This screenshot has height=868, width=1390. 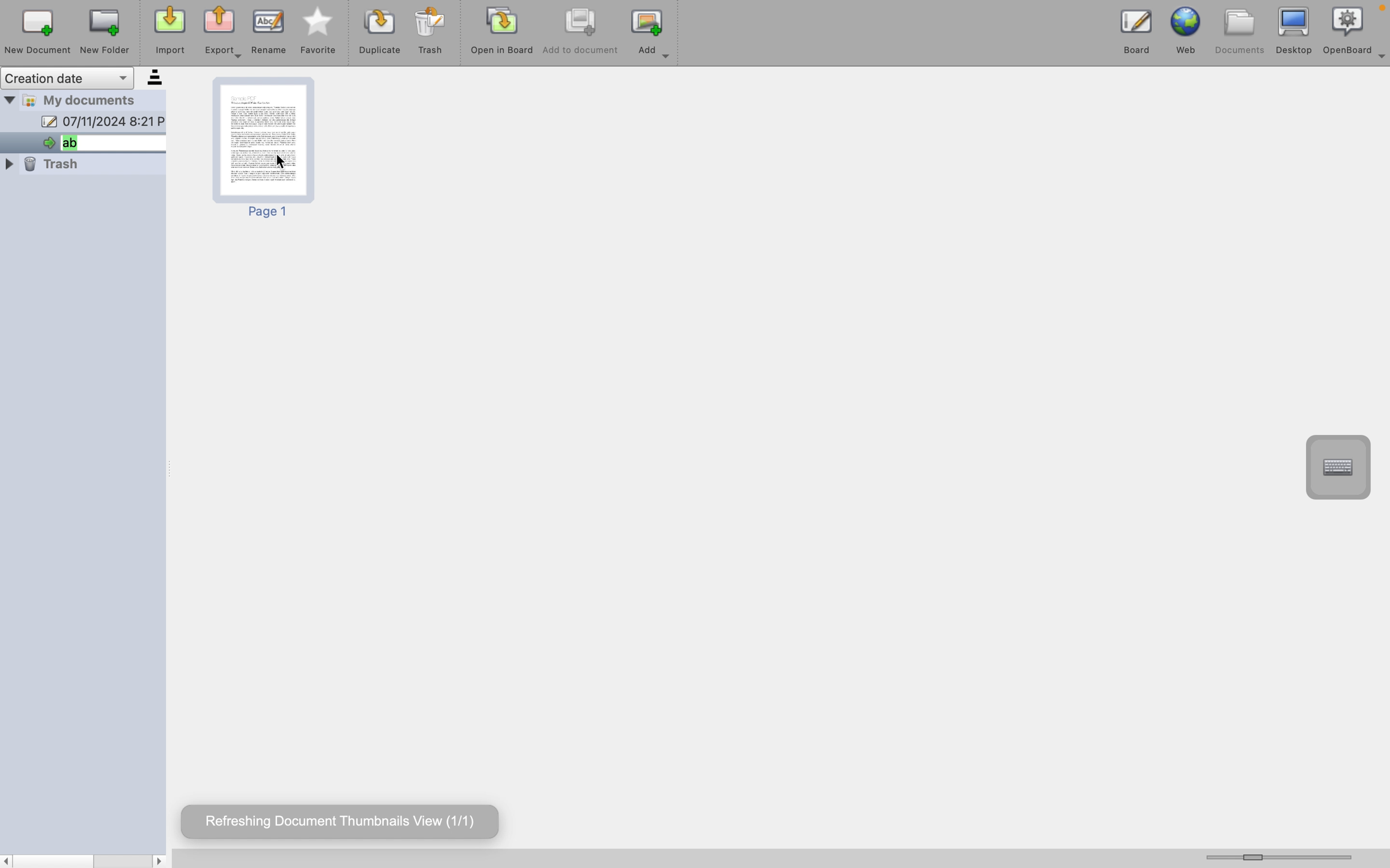 I want to click on add to document, so click(x=581, y=35).